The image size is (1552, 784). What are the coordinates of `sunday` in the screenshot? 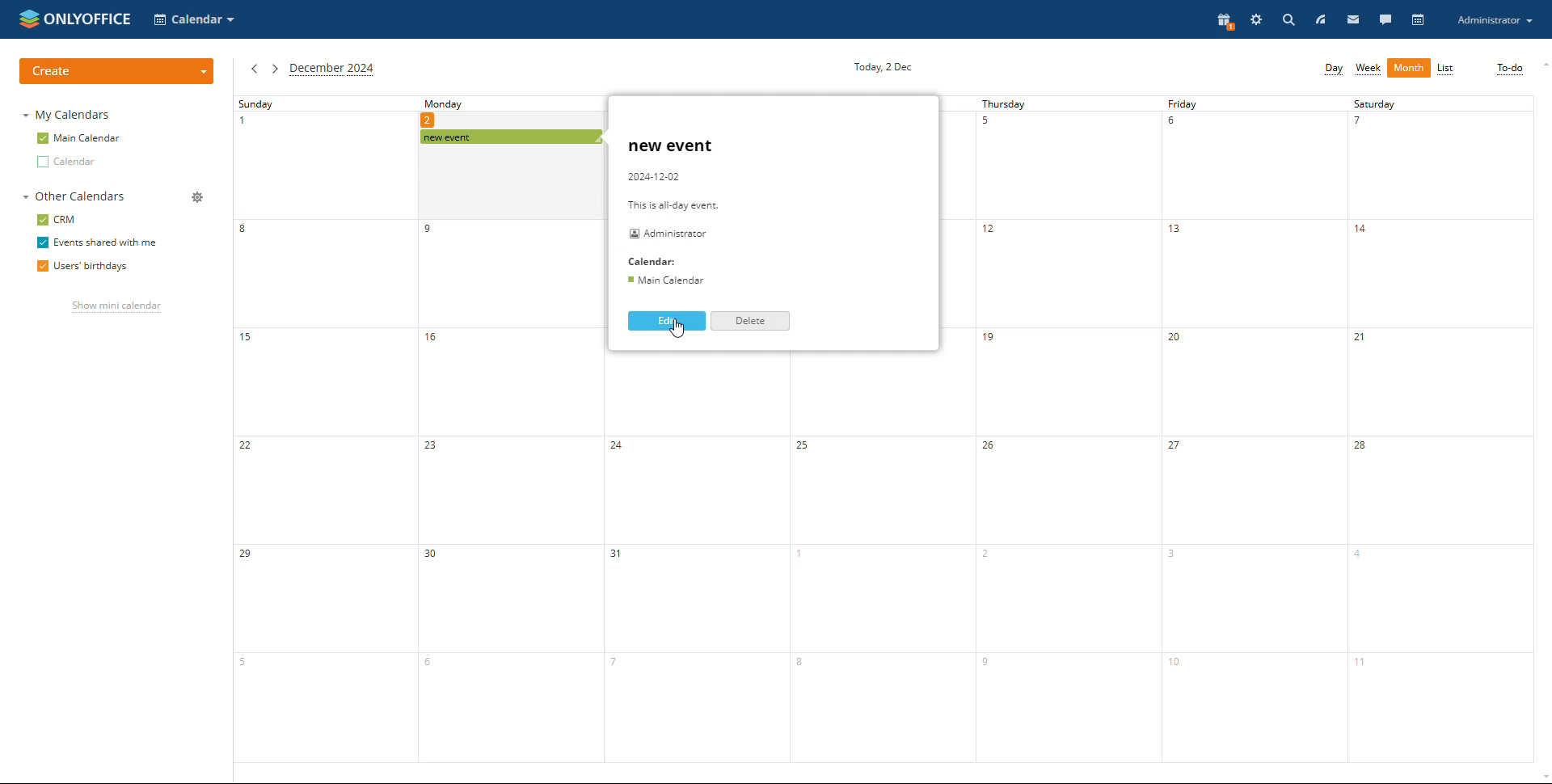 It's located at (322, 429).